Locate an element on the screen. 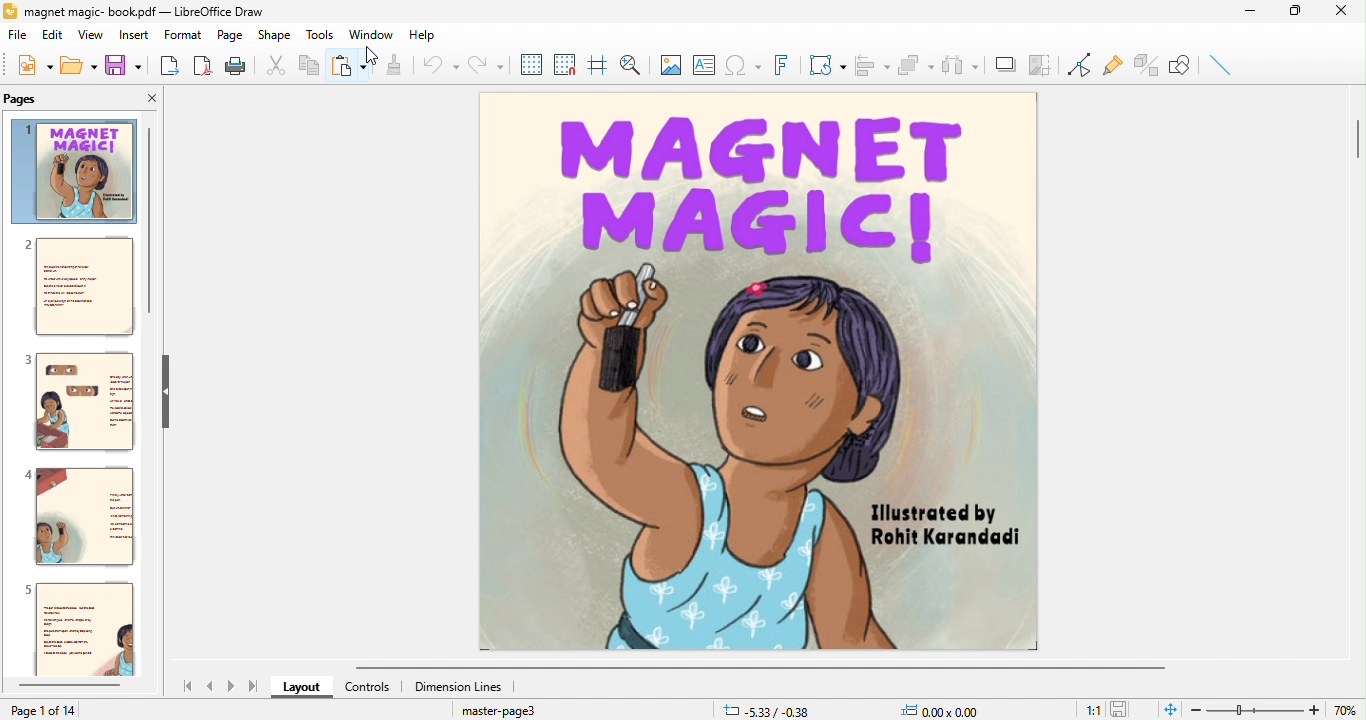 This screenshot has height=720, width=1366. page 1 of 14 is located at coordinates (72, 710).